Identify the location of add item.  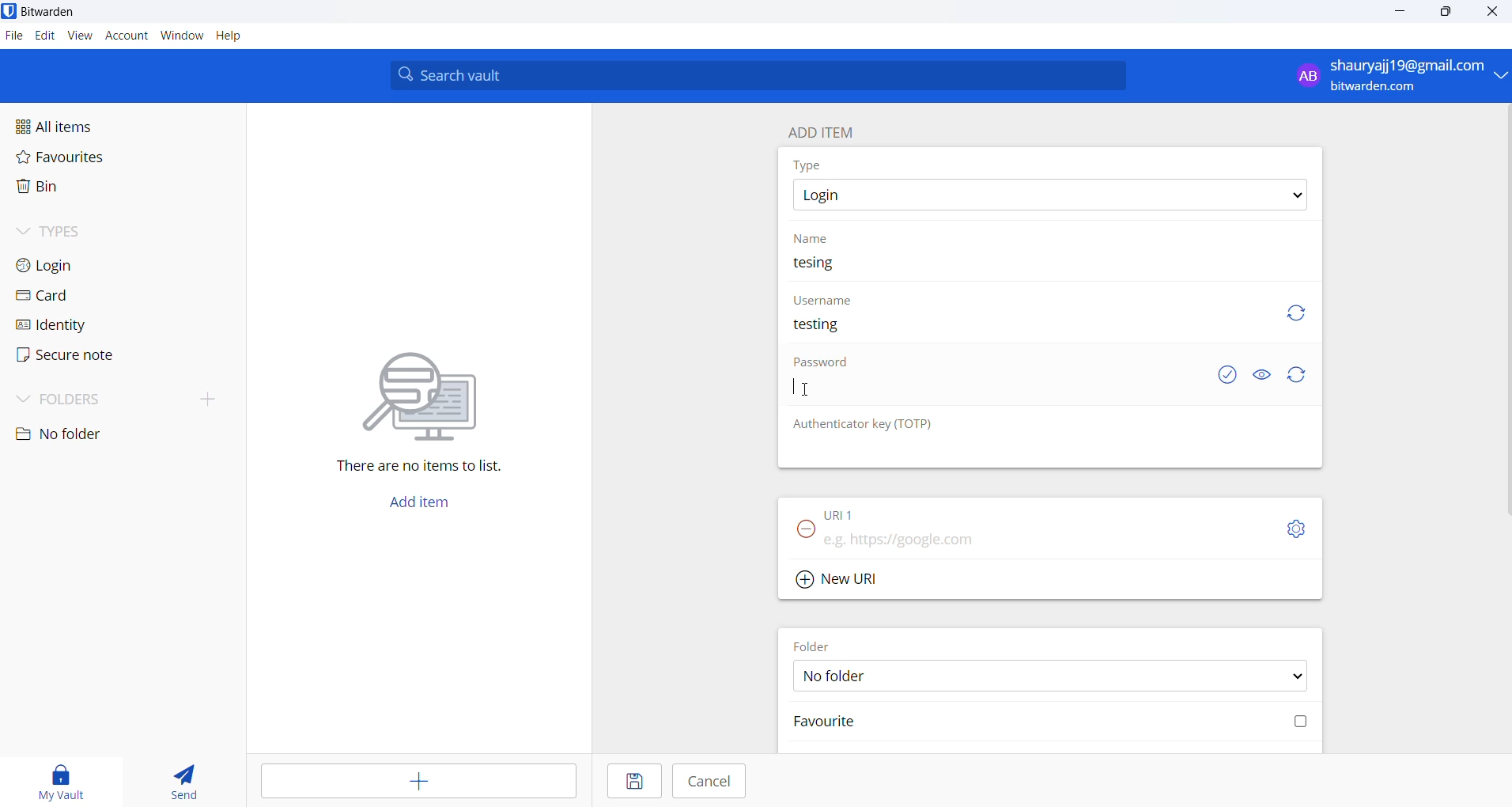
(422, 784).